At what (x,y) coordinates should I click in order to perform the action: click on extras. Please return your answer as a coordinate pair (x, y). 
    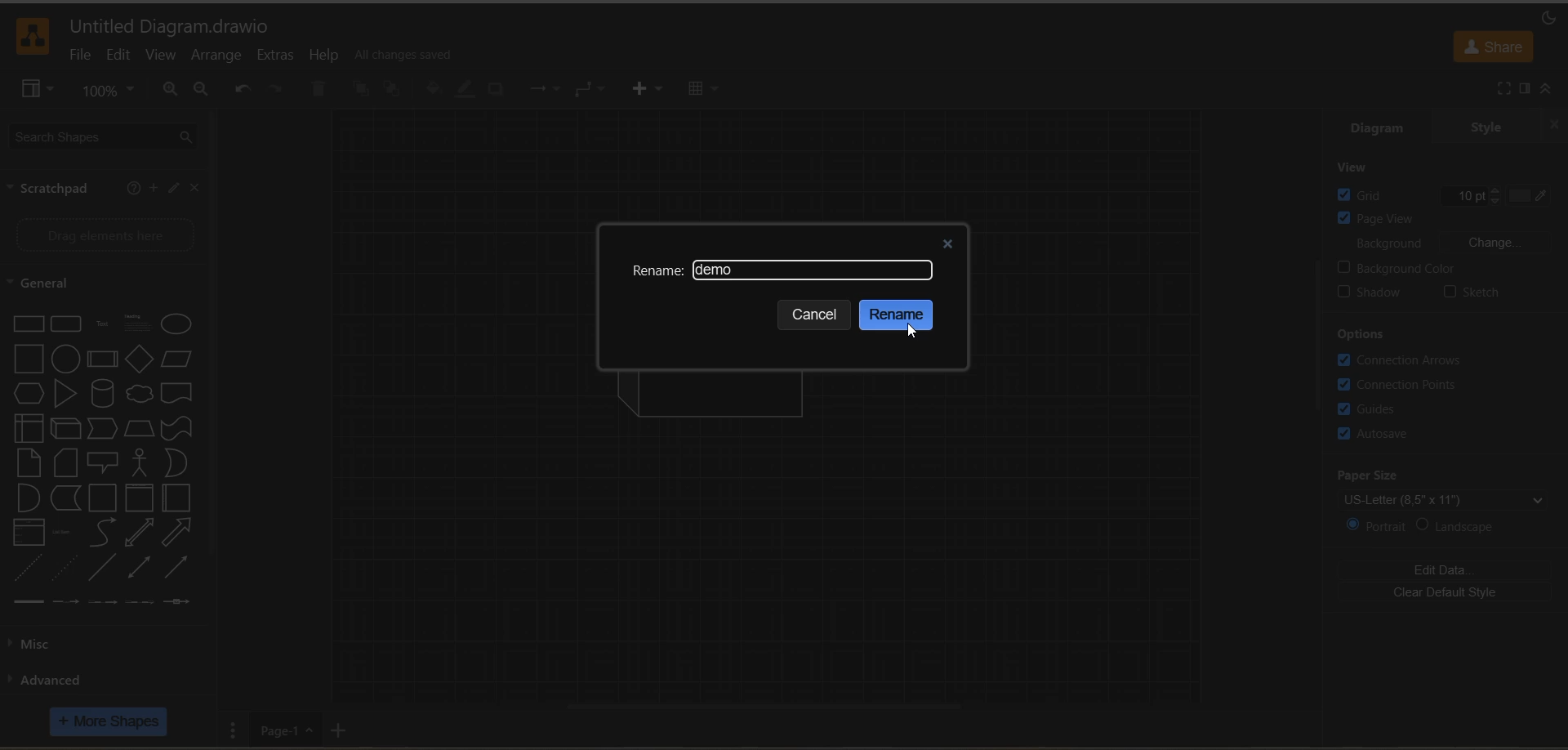
    Looking at the image, I should click on (282, 55).